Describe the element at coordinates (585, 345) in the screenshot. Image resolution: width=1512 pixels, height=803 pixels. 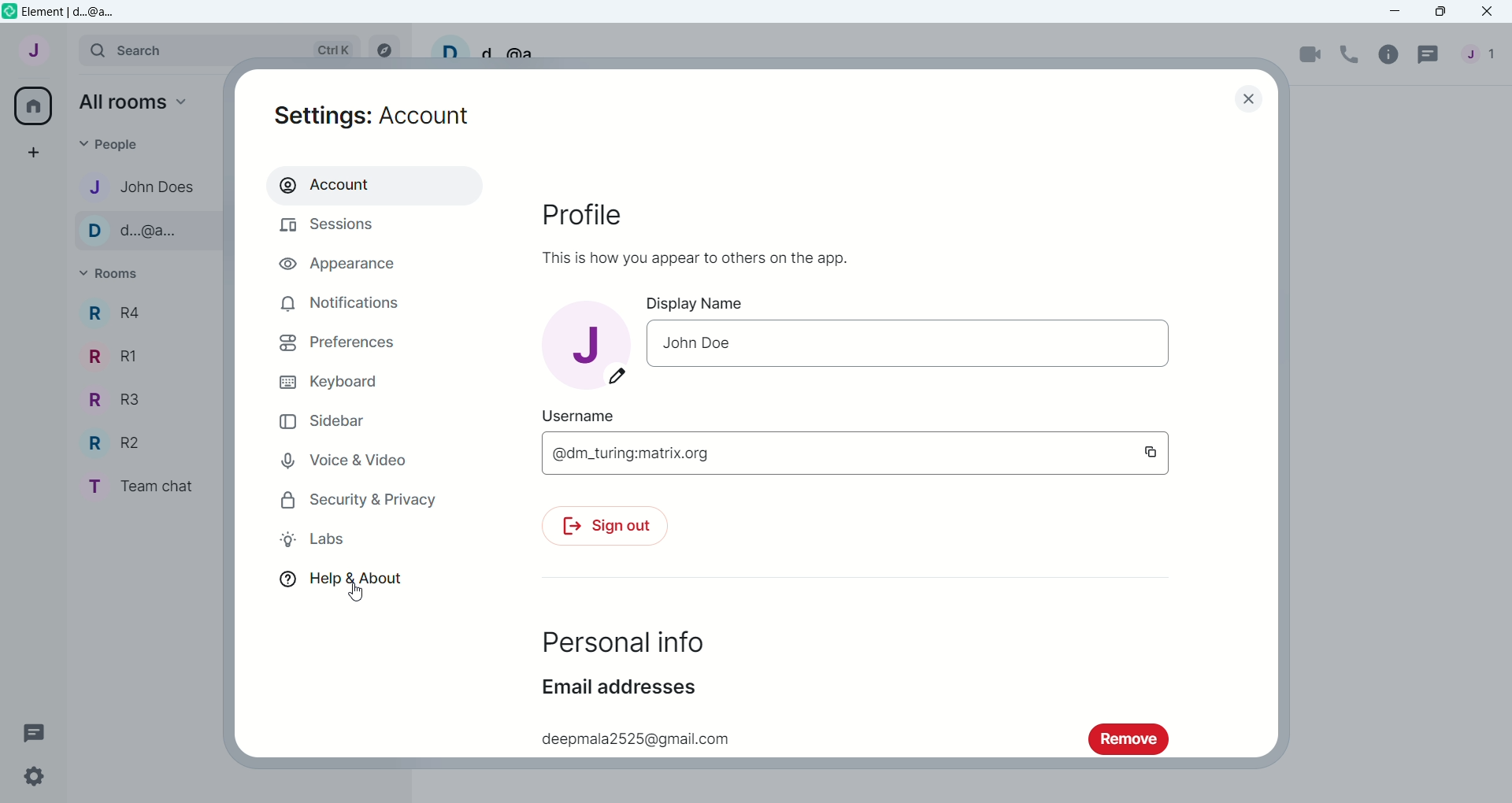
I see `Upload file` at that location.